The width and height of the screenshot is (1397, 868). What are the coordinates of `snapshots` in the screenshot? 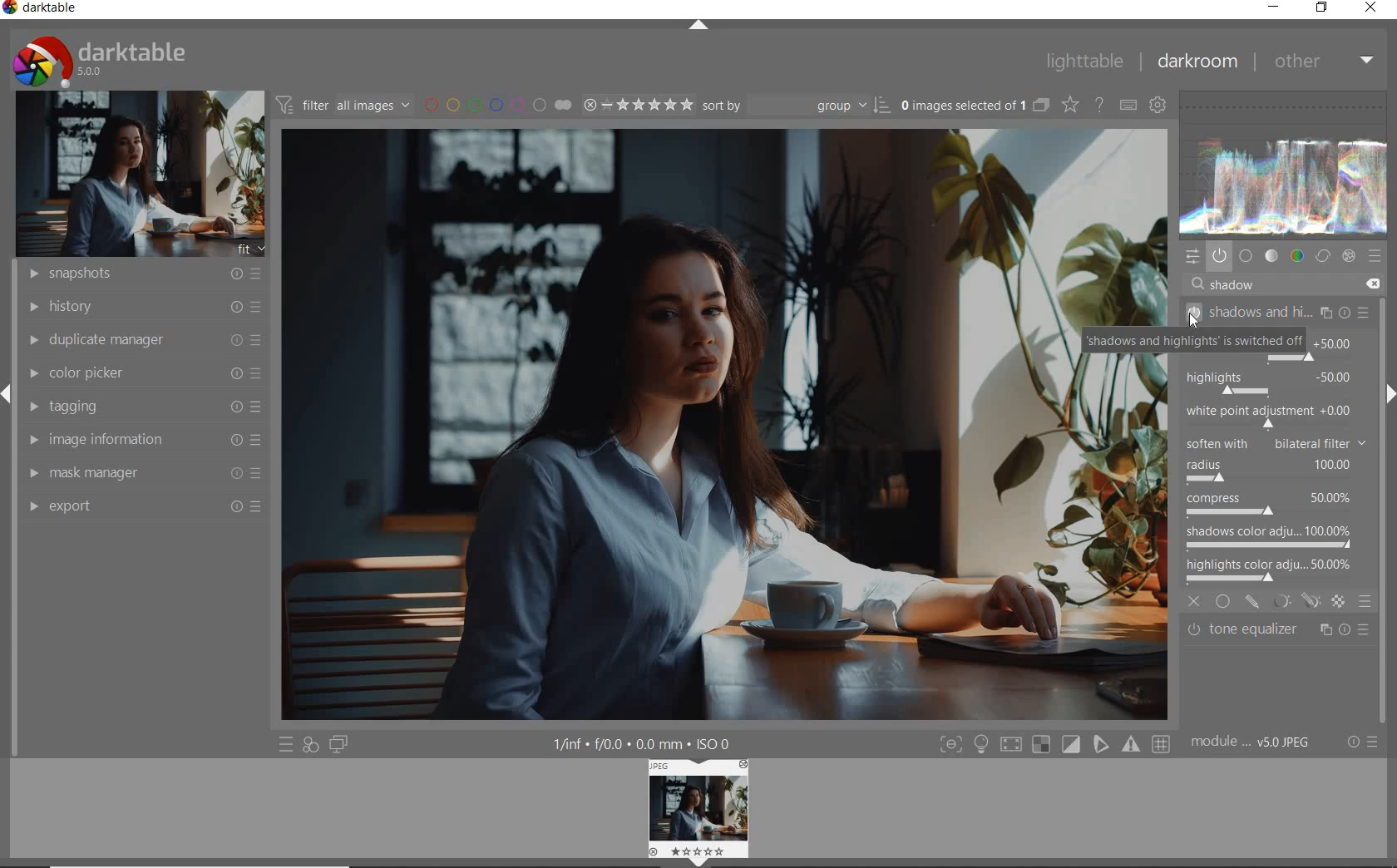 It's located at (139, 274).